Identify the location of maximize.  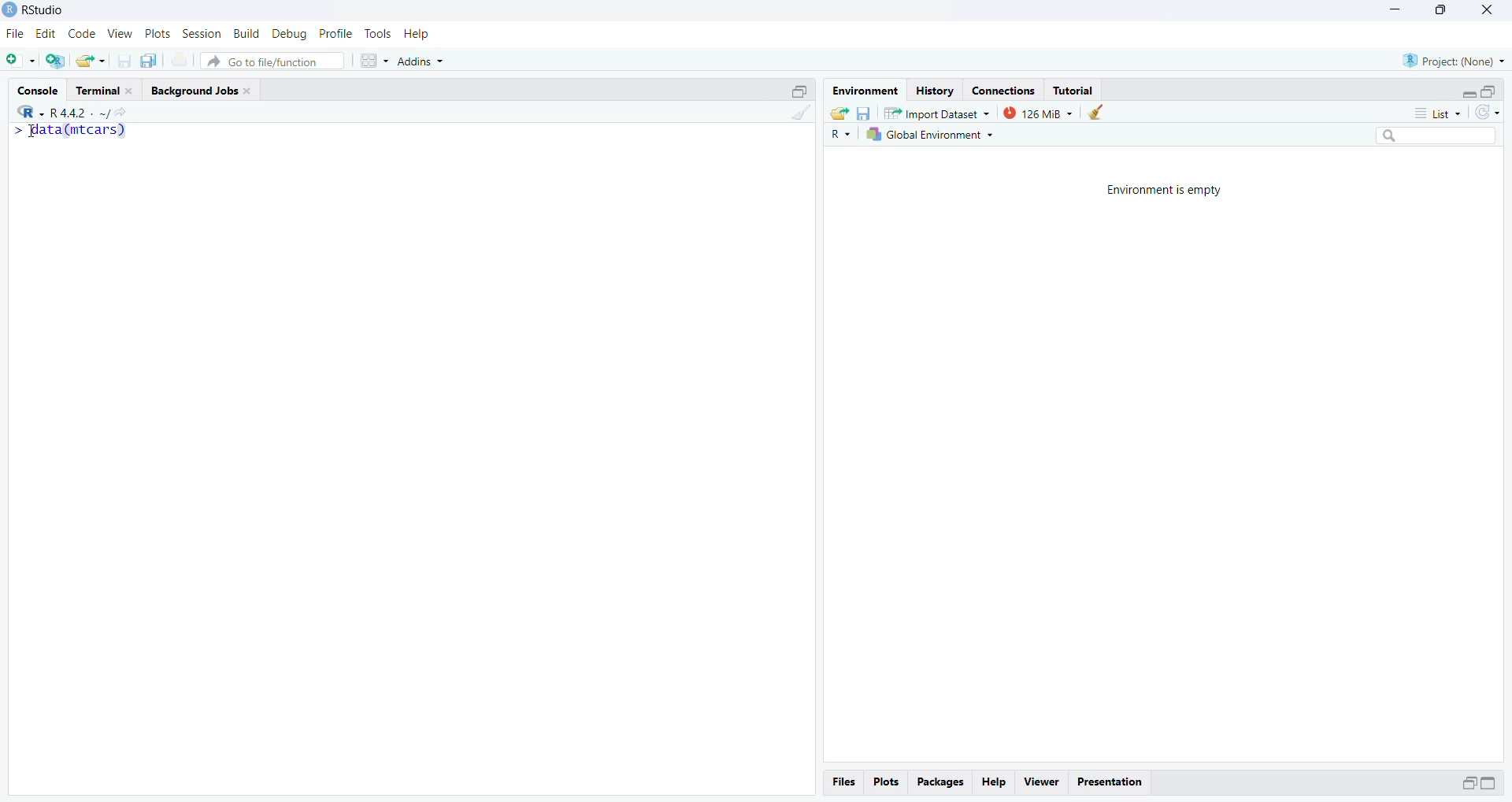
(1489, 92).